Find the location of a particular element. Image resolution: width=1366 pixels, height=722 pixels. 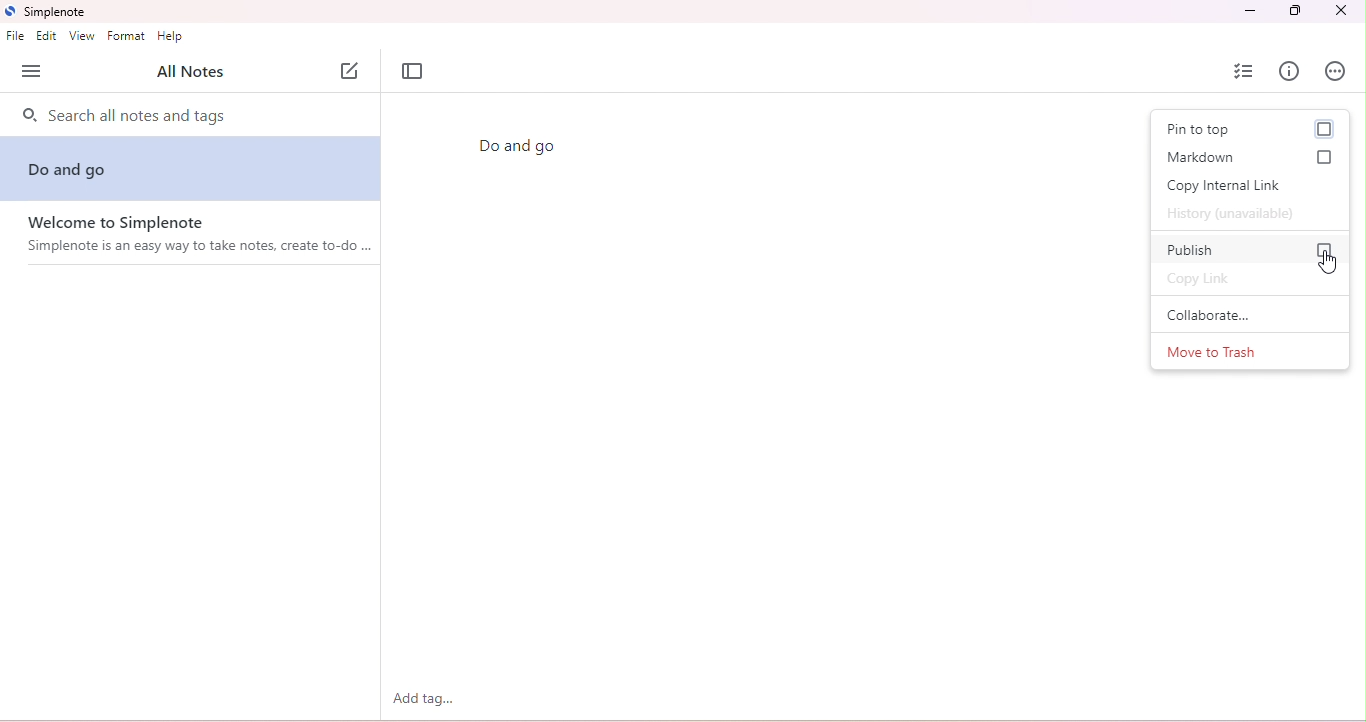

history  is located at coordinates (1232, 215).